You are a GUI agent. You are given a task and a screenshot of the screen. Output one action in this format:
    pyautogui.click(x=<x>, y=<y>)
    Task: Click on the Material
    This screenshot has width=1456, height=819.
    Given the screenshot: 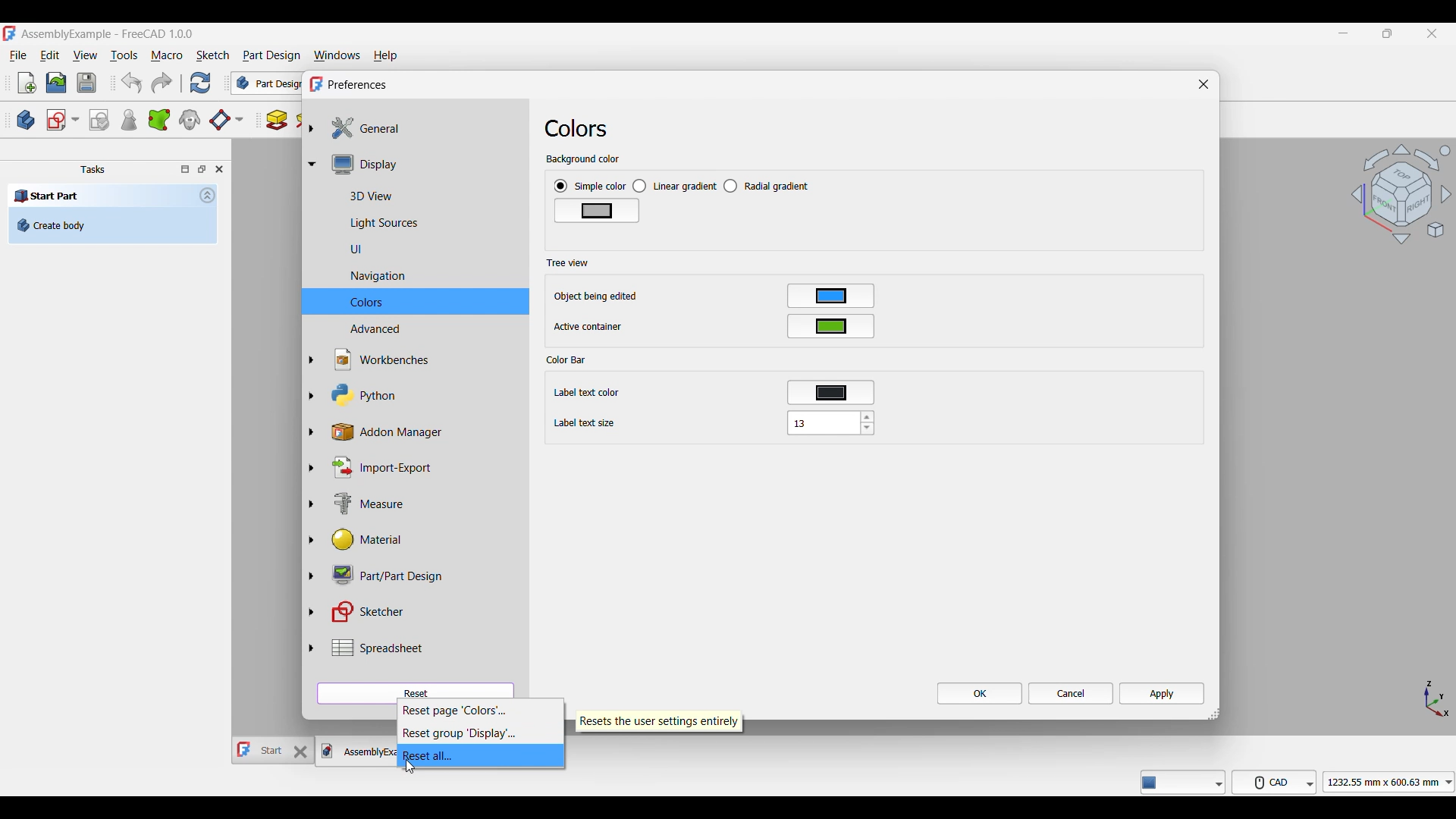 What is the action you would take?
    pyautogui.click(x=354, y=541)
    